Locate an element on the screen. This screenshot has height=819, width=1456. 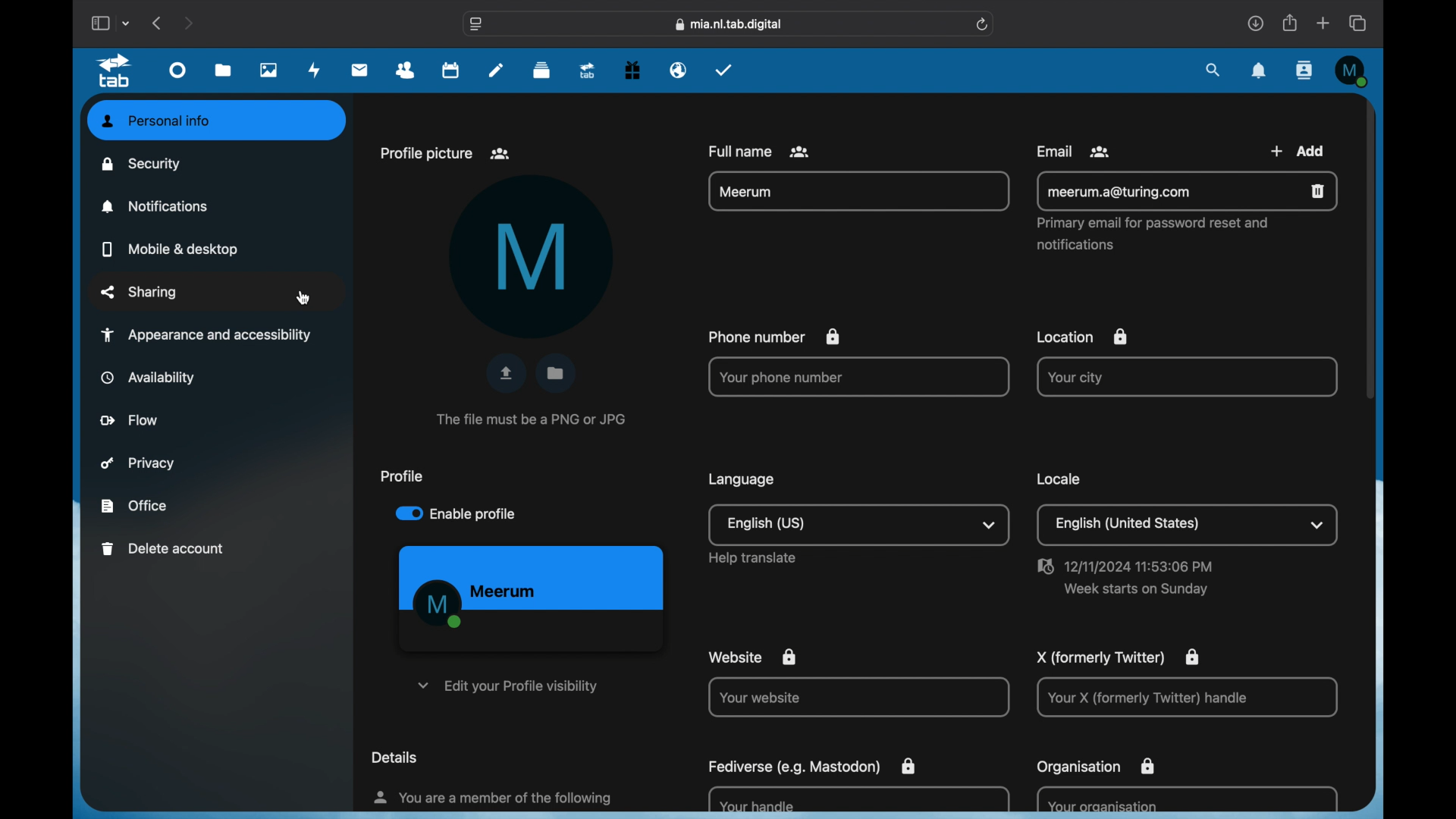
Phone number is located at coordinates (775, 337).